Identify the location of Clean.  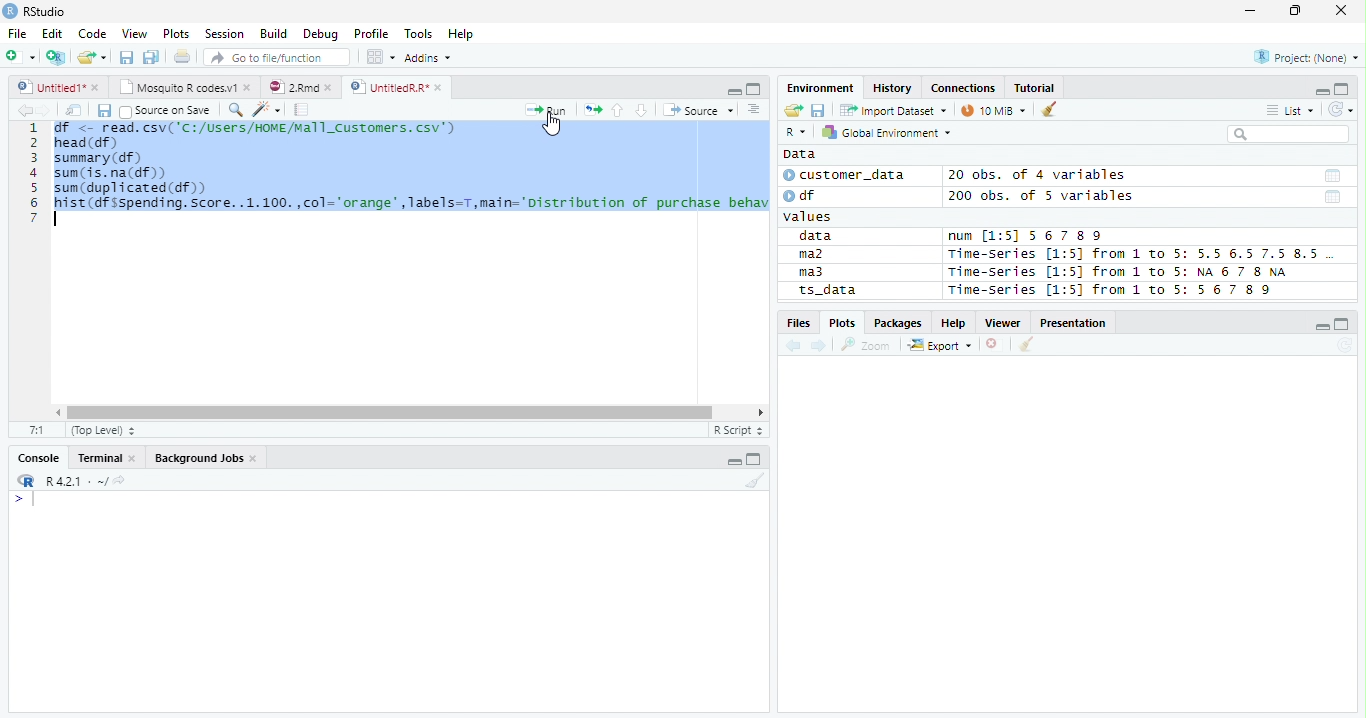
(755, 482).